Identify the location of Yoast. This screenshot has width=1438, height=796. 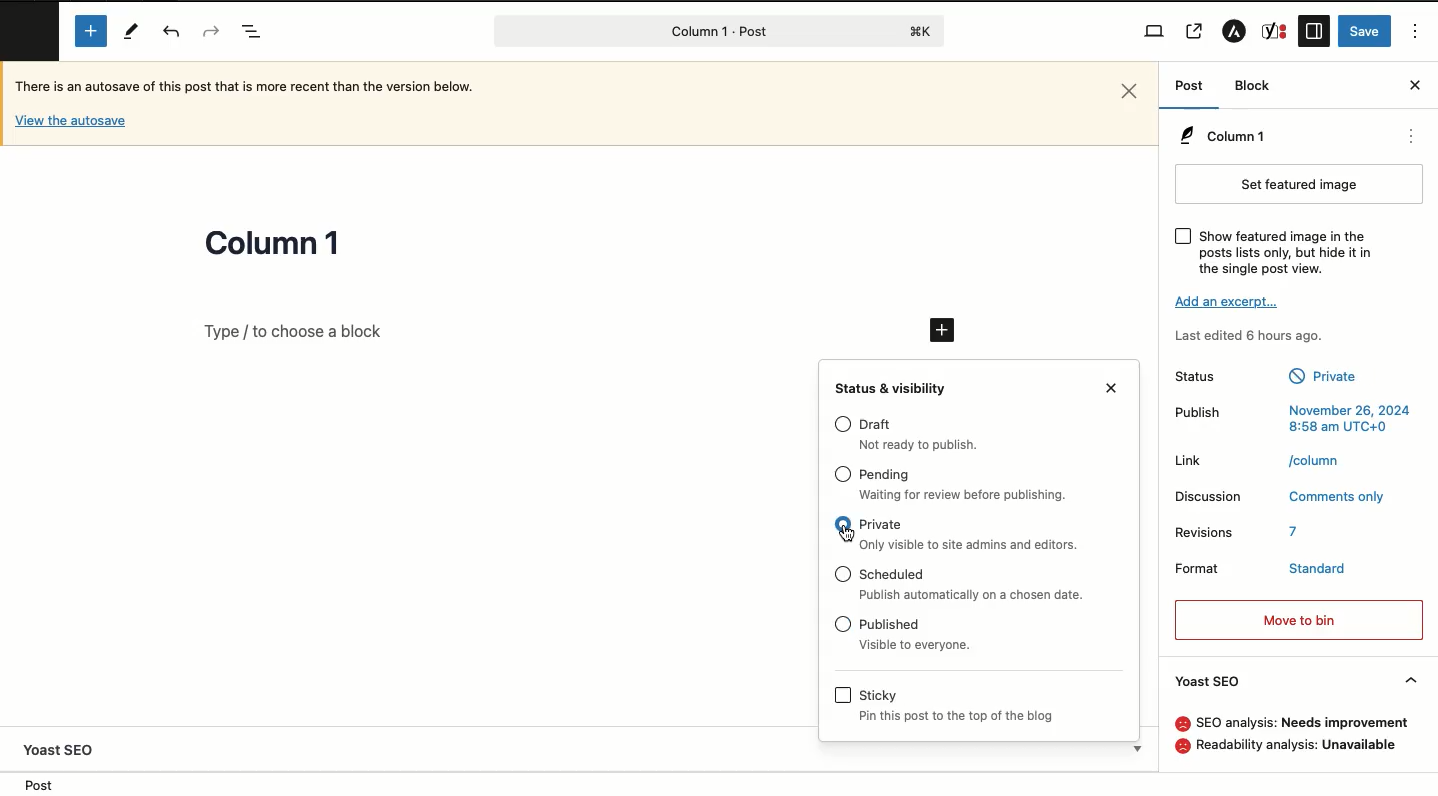
(1273, 30).